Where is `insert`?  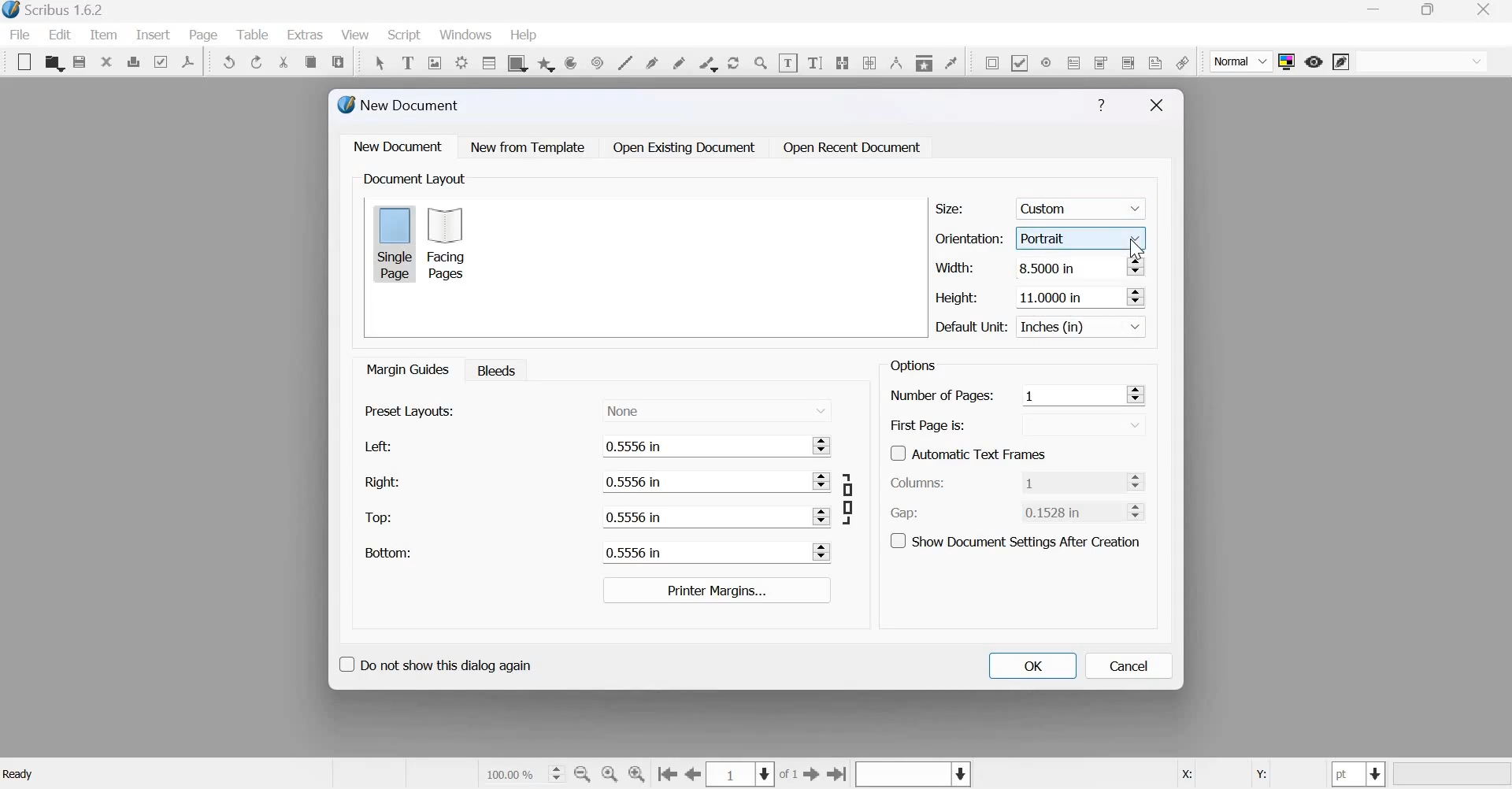 insert is located at coordinates (153, 34).